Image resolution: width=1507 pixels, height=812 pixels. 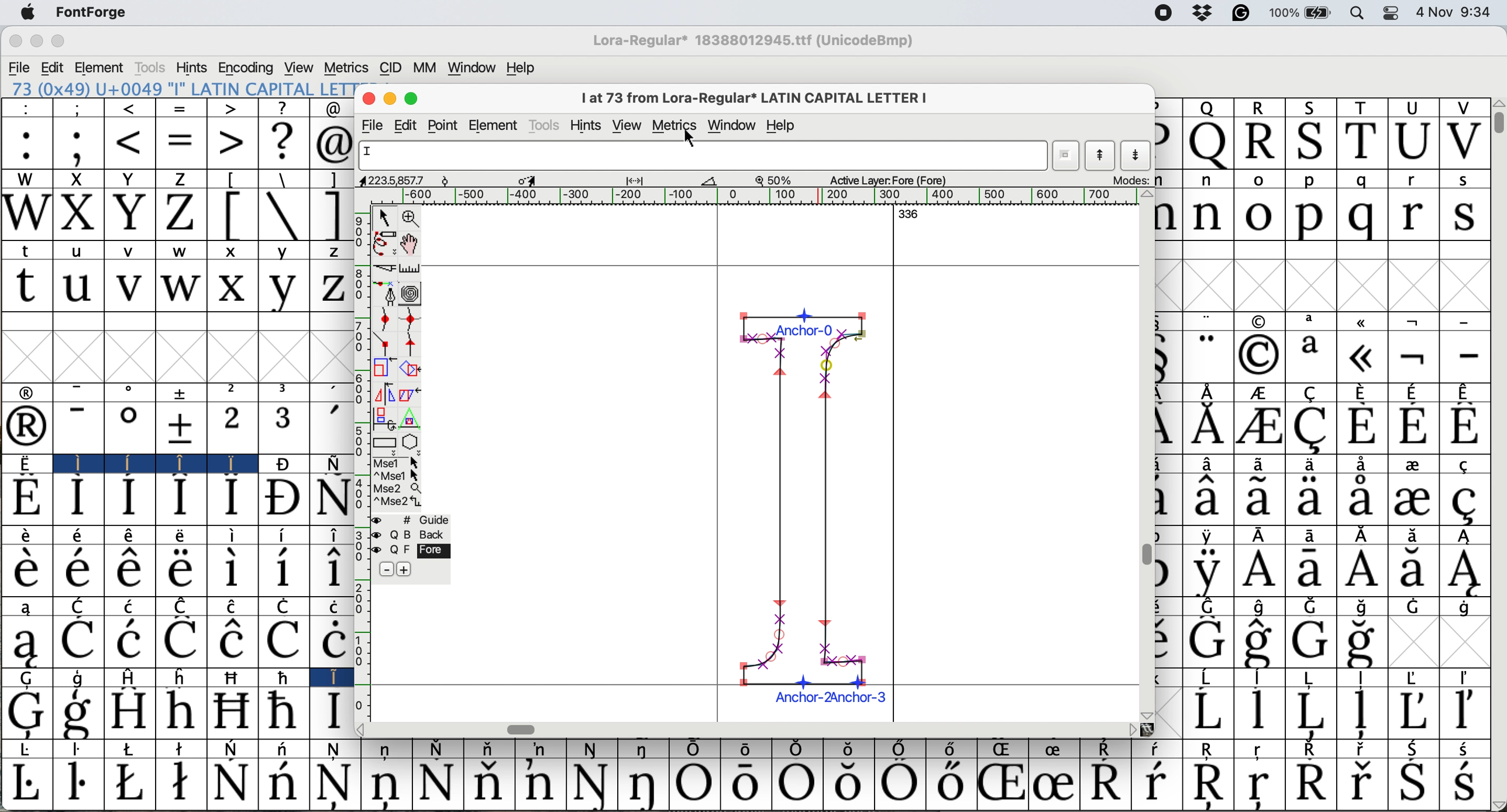 I want to click on Symbol, so click(x=129, y=711).